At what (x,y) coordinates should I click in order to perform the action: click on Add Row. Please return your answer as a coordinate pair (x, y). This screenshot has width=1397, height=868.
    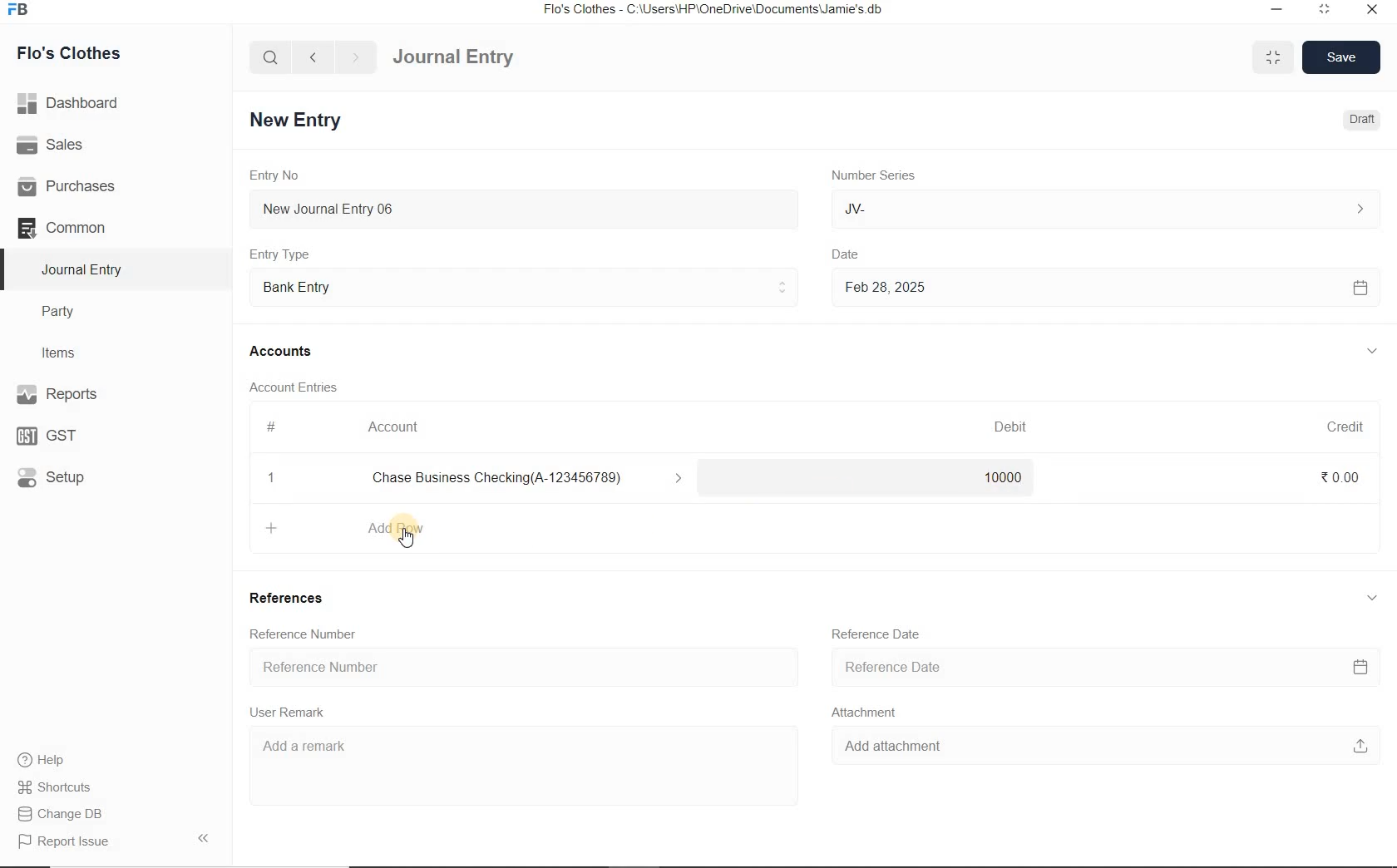
    Looking at the image, I should click on (361, 526).